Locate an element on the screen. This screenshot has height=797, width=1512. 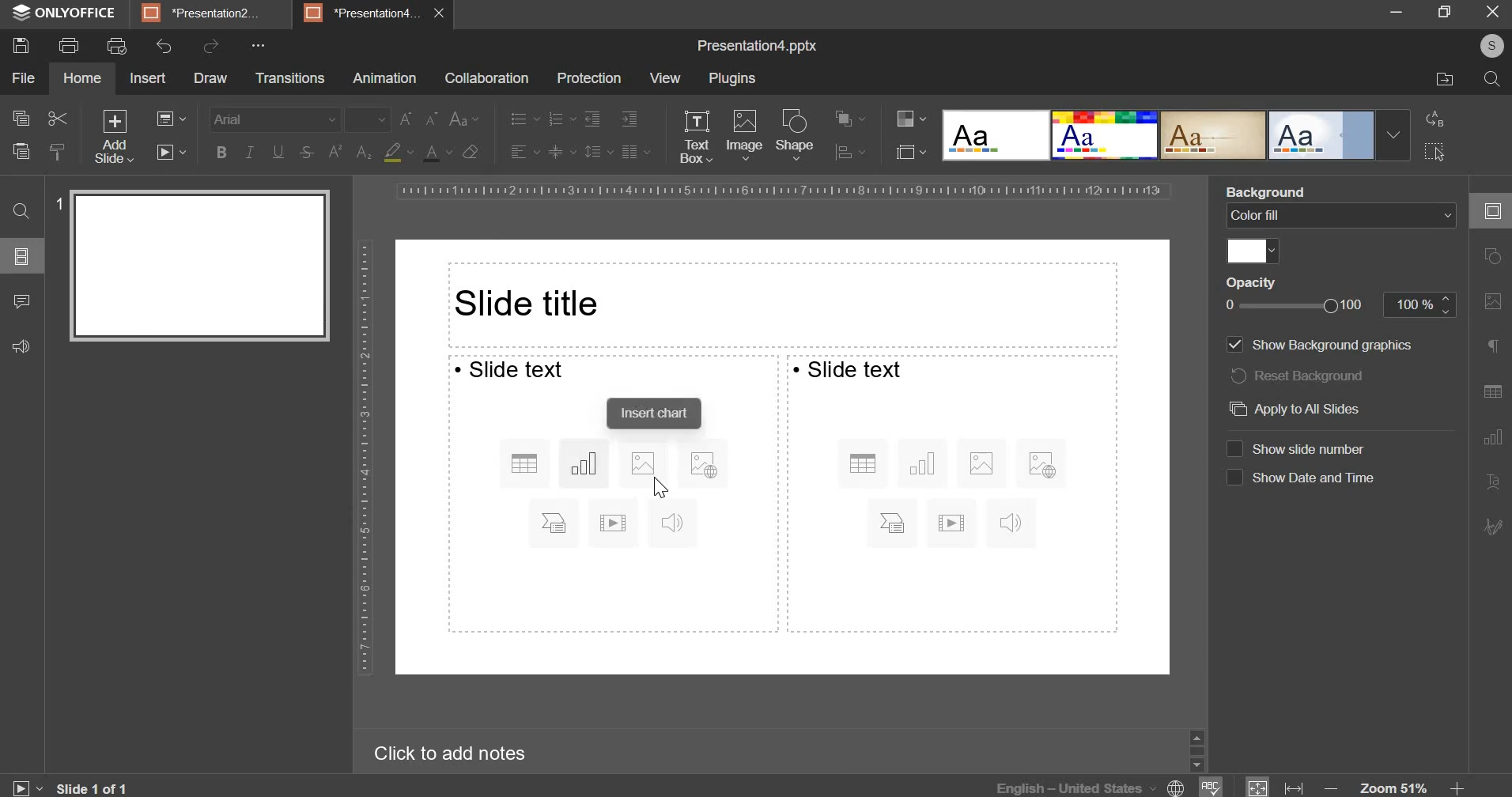
paragraph settings is located at coordinates (1491, 346).